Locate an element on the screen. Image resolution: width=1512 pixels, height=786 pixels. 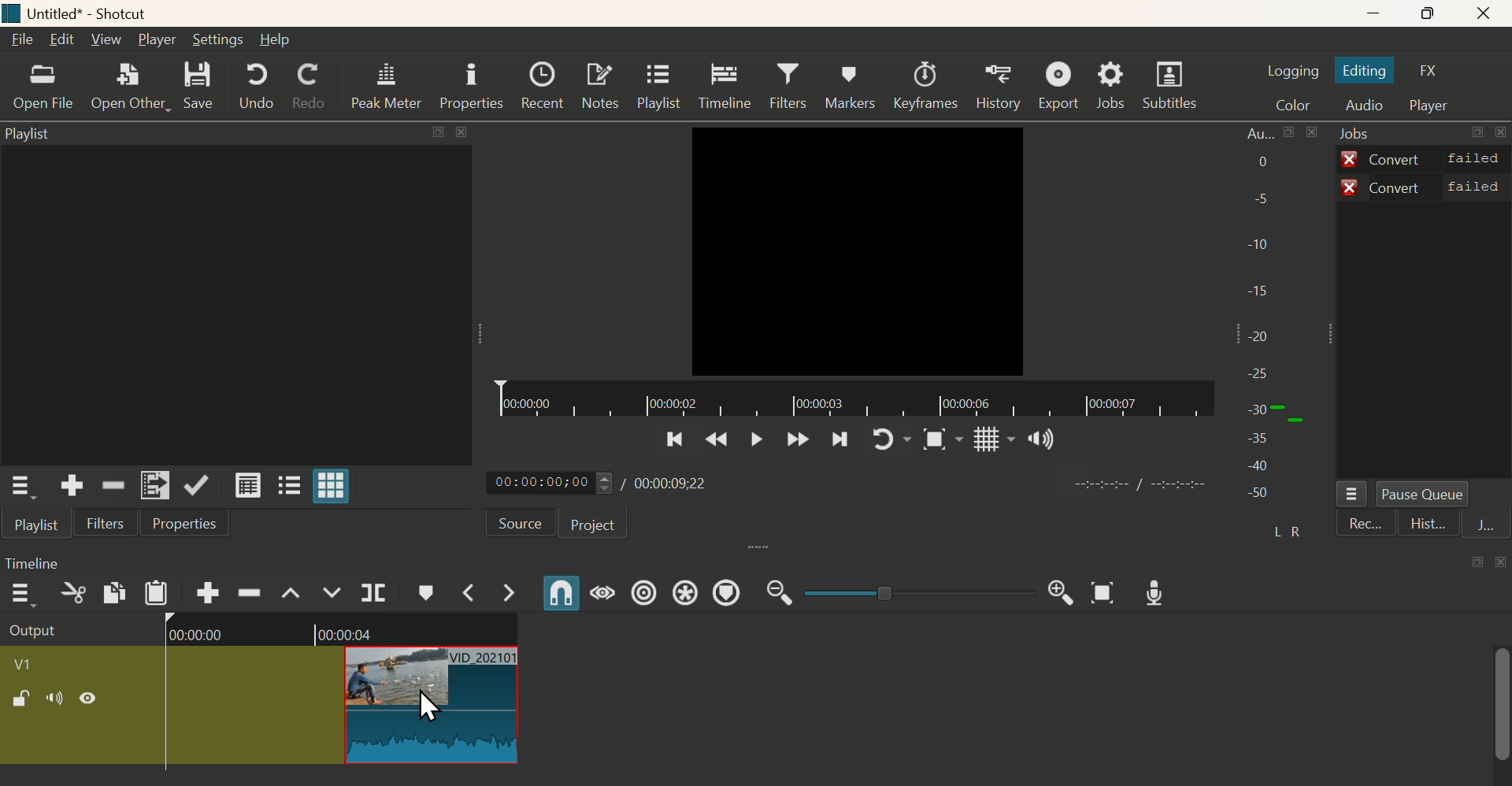
 is located at coordinates (23, 40).